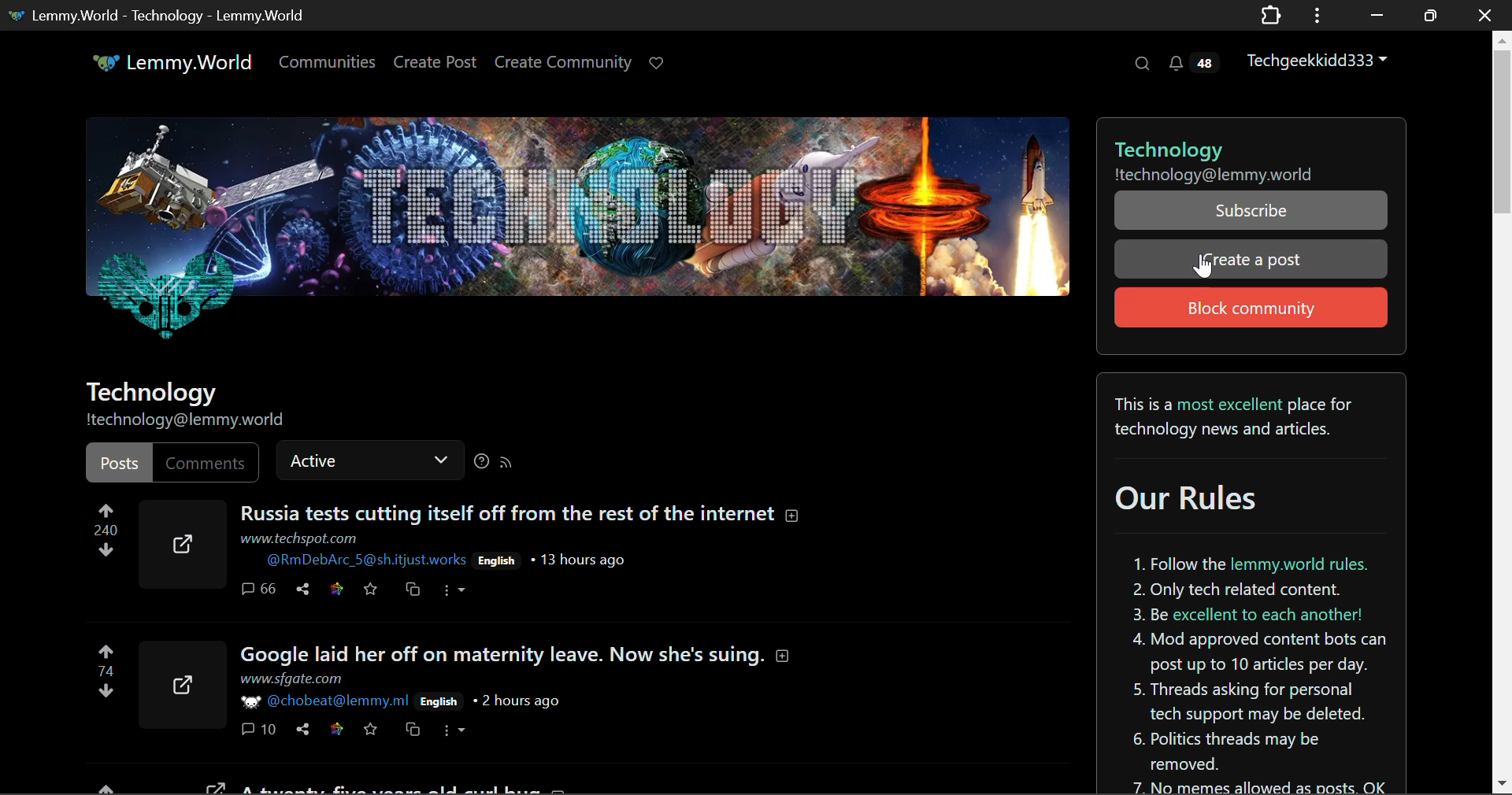  Describe the element at coordinates (1140, 63) in the screenshot. I see `Search ` at that location.